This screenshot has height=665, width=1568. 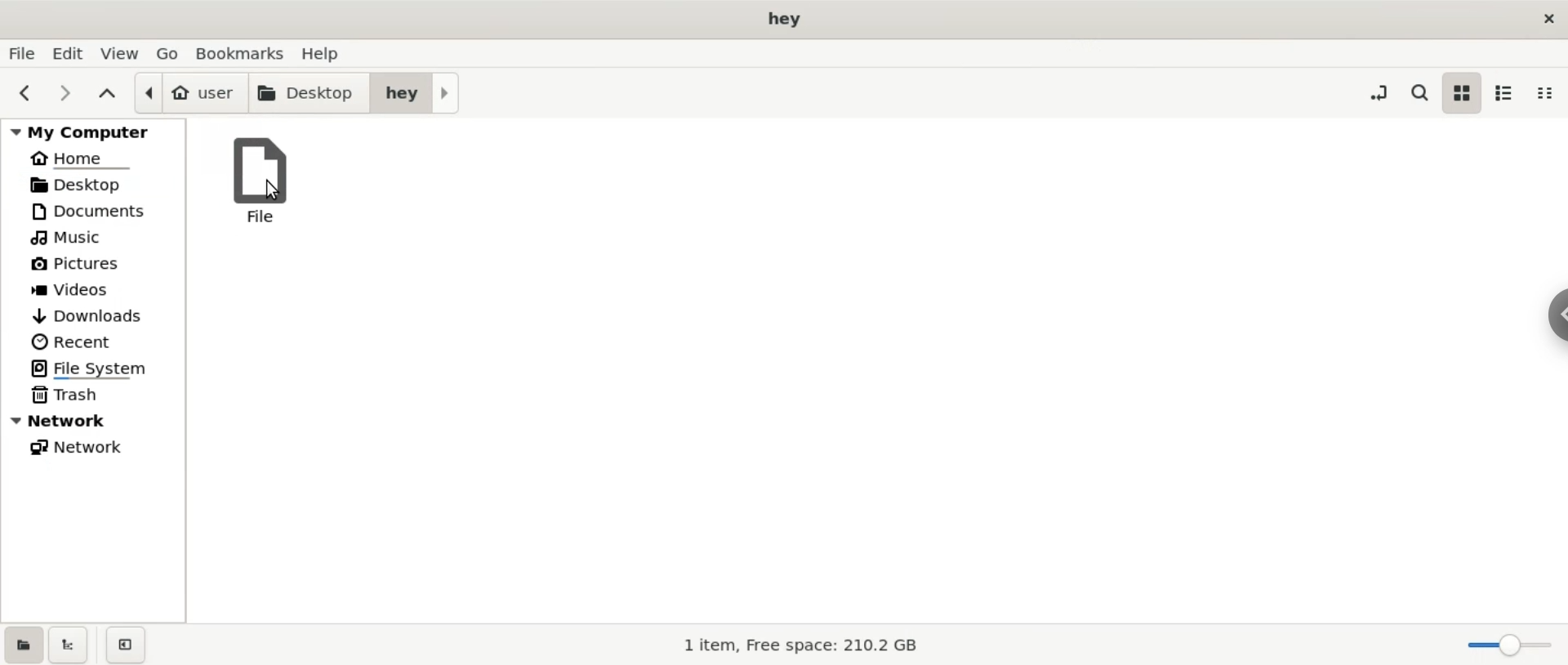 What do you see at coordinates (23, 644) in the screenshot?
I see `show places` at bounding box center [23, 644].